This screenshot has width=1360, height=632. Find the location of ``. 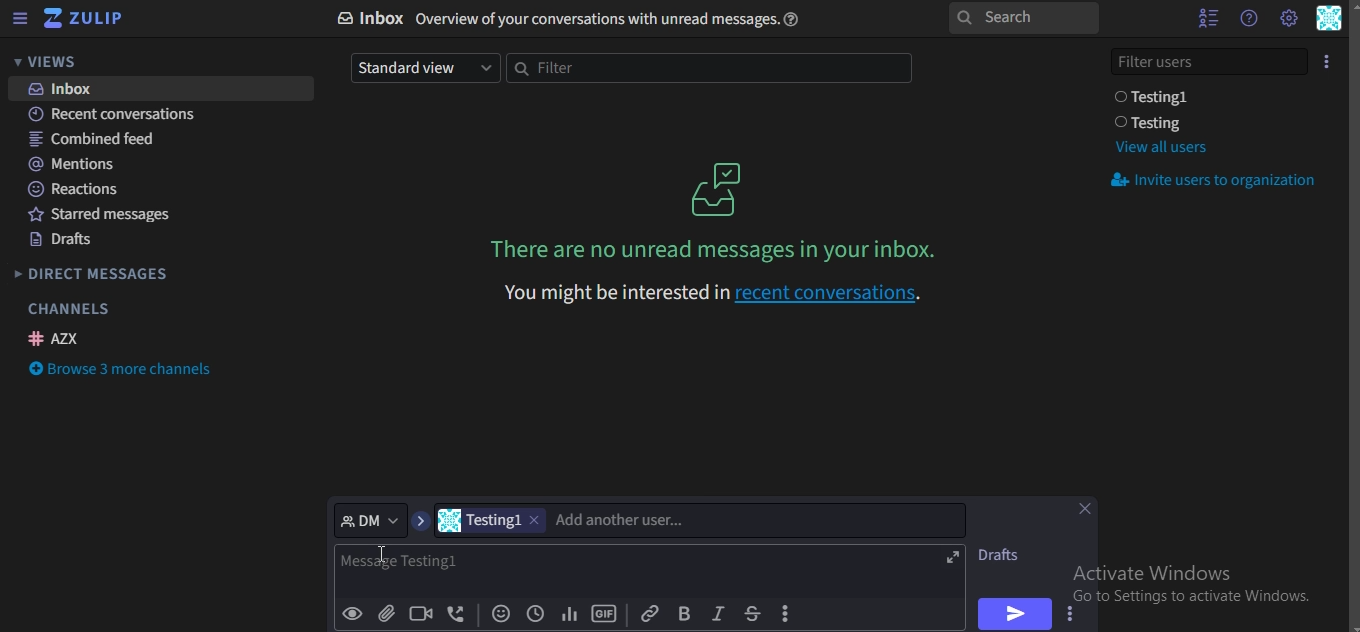

 is located at coordinates (1074, 613).